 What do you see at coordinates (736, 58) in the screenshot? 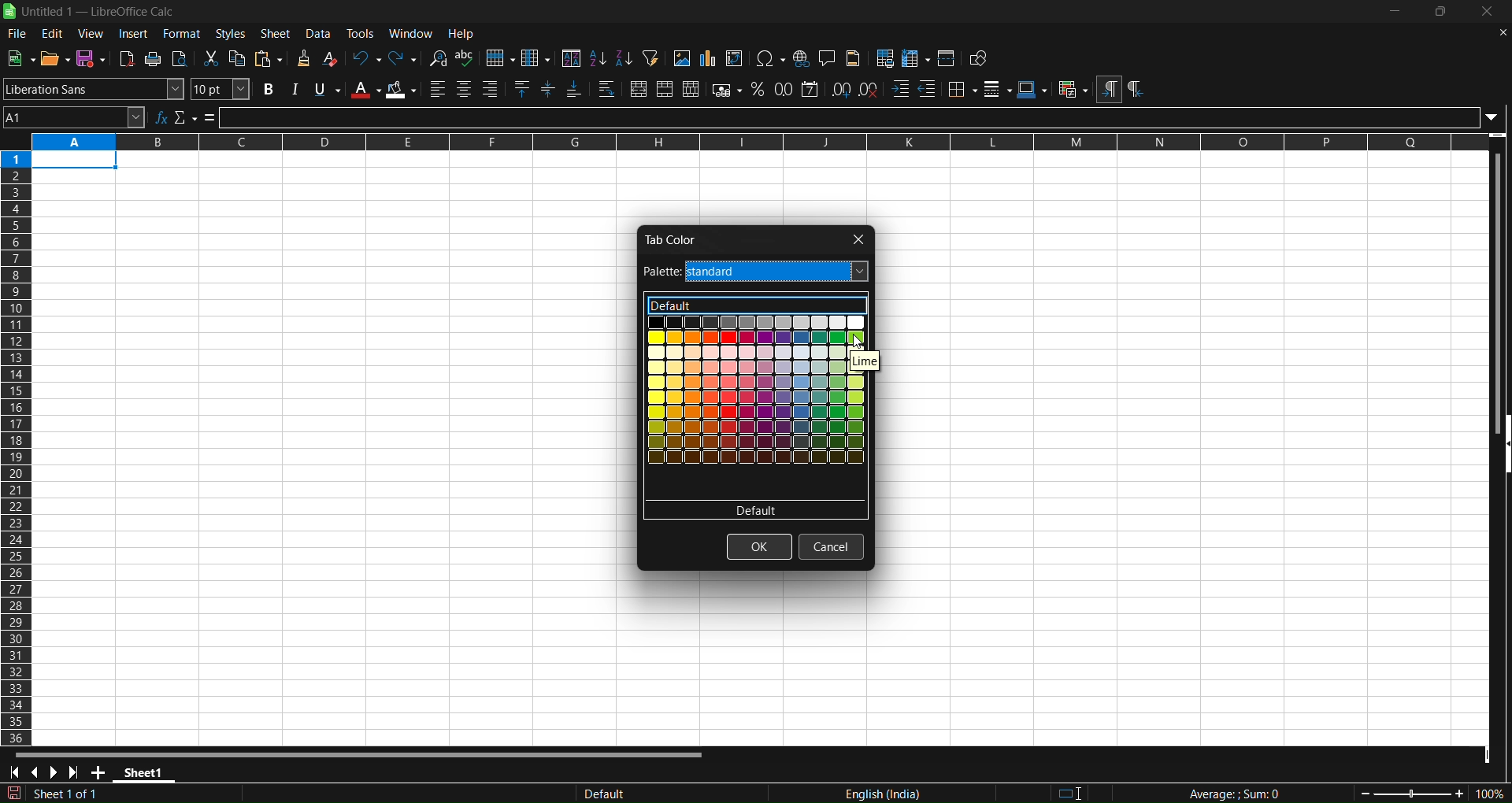
I see `insert or edit pivot table` at bounding box center [736, 58].